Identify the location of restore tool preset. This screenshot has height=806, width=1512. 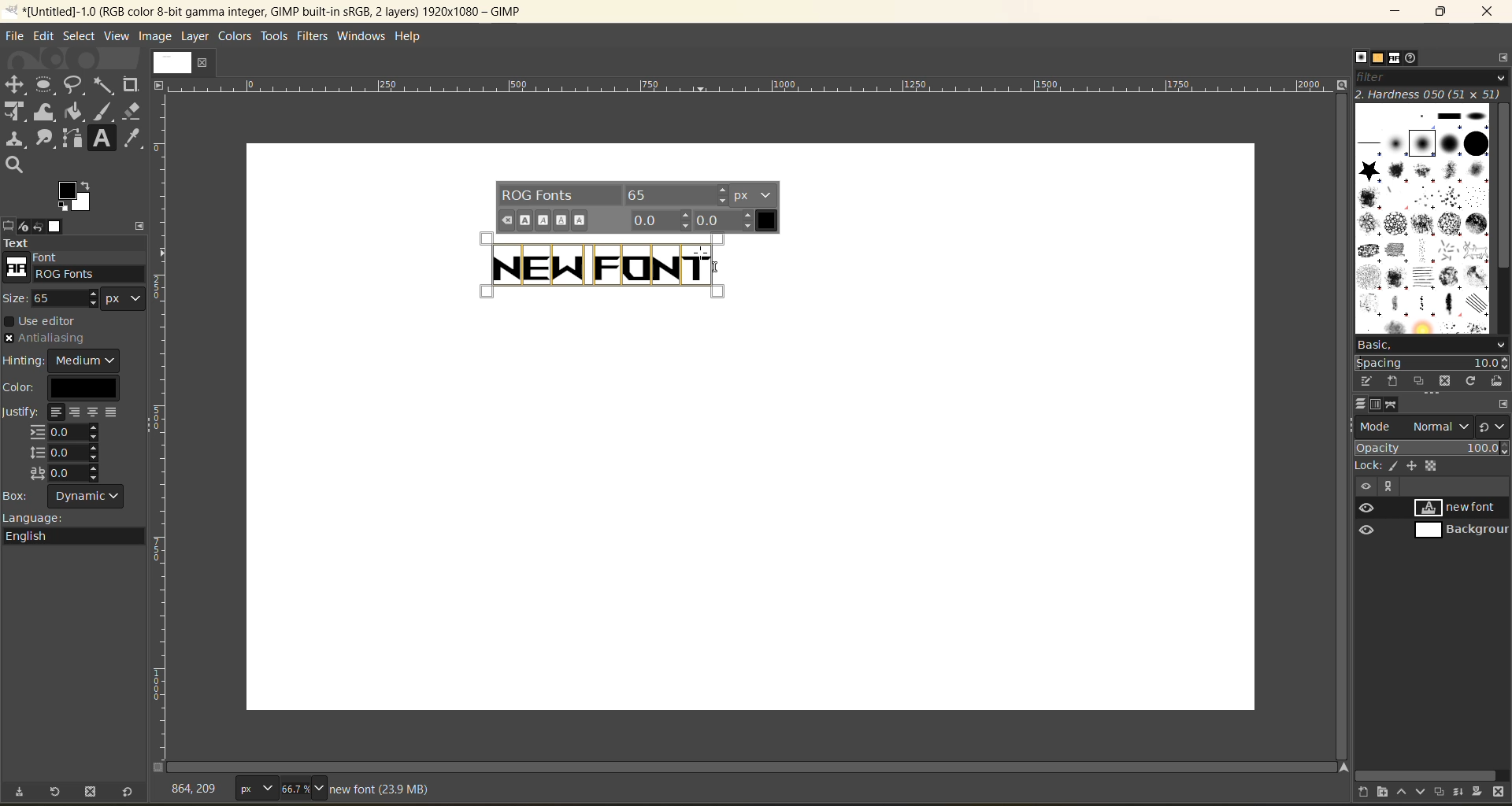
(57, 792).